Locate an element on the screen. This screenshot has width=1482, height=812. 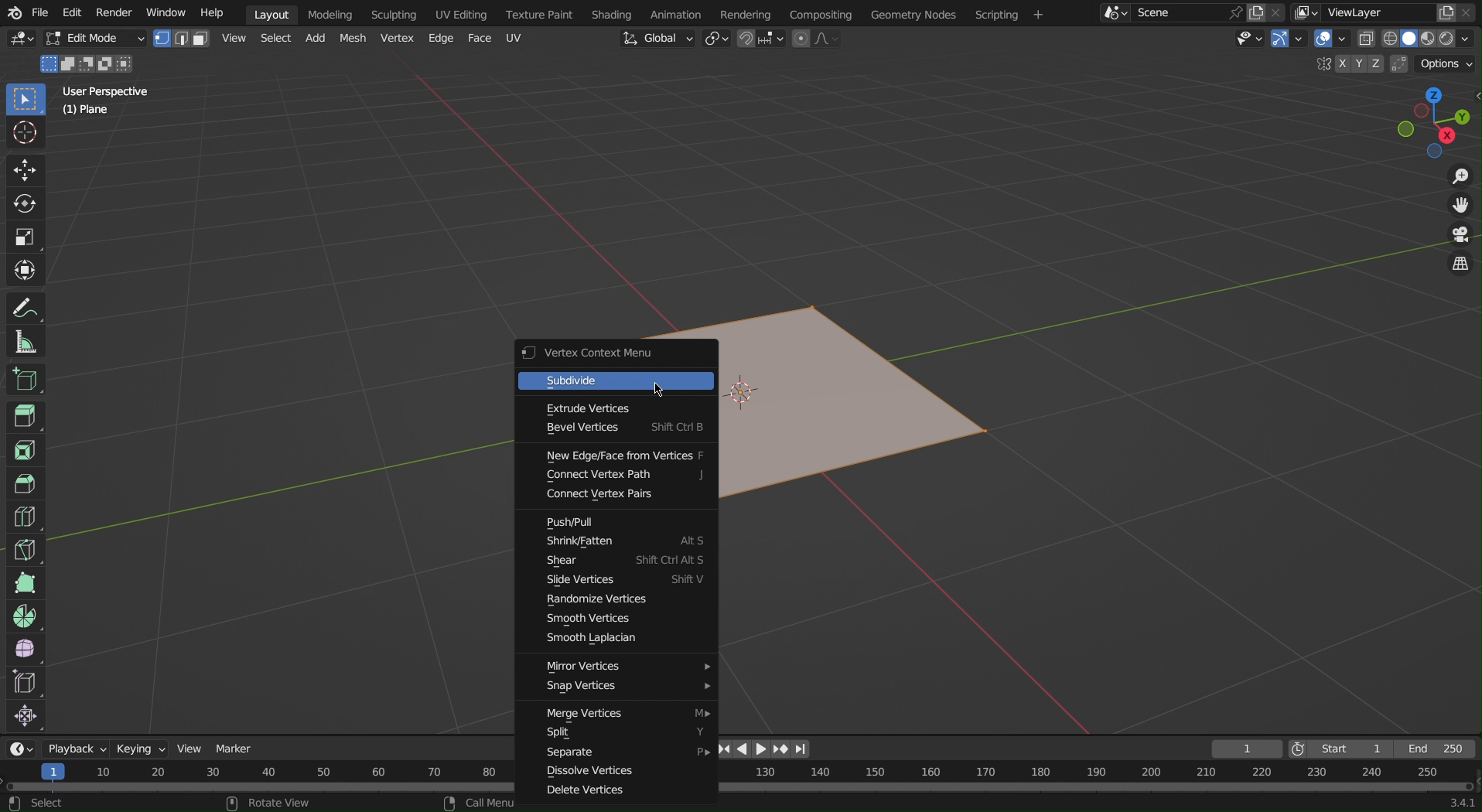
close is located at coordinates (1470, 13).